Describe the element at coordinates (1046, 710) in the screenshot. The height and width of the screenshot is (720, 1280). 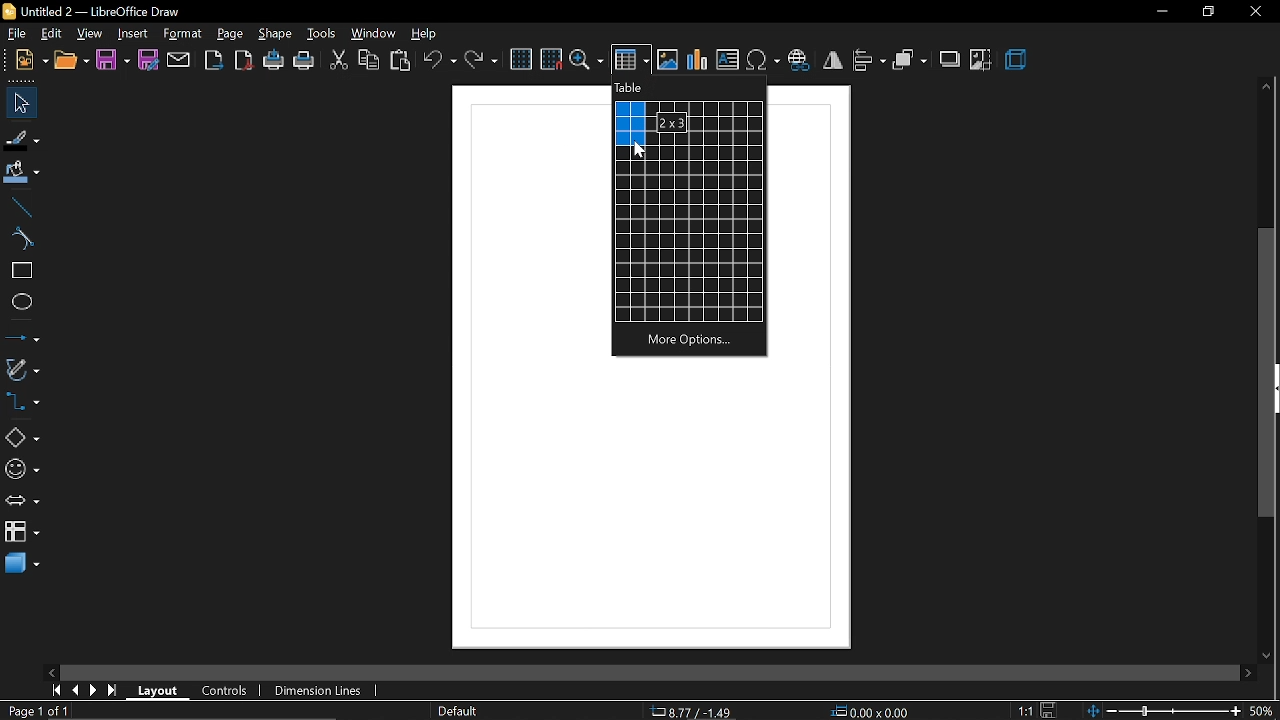
I see `save` at that location.